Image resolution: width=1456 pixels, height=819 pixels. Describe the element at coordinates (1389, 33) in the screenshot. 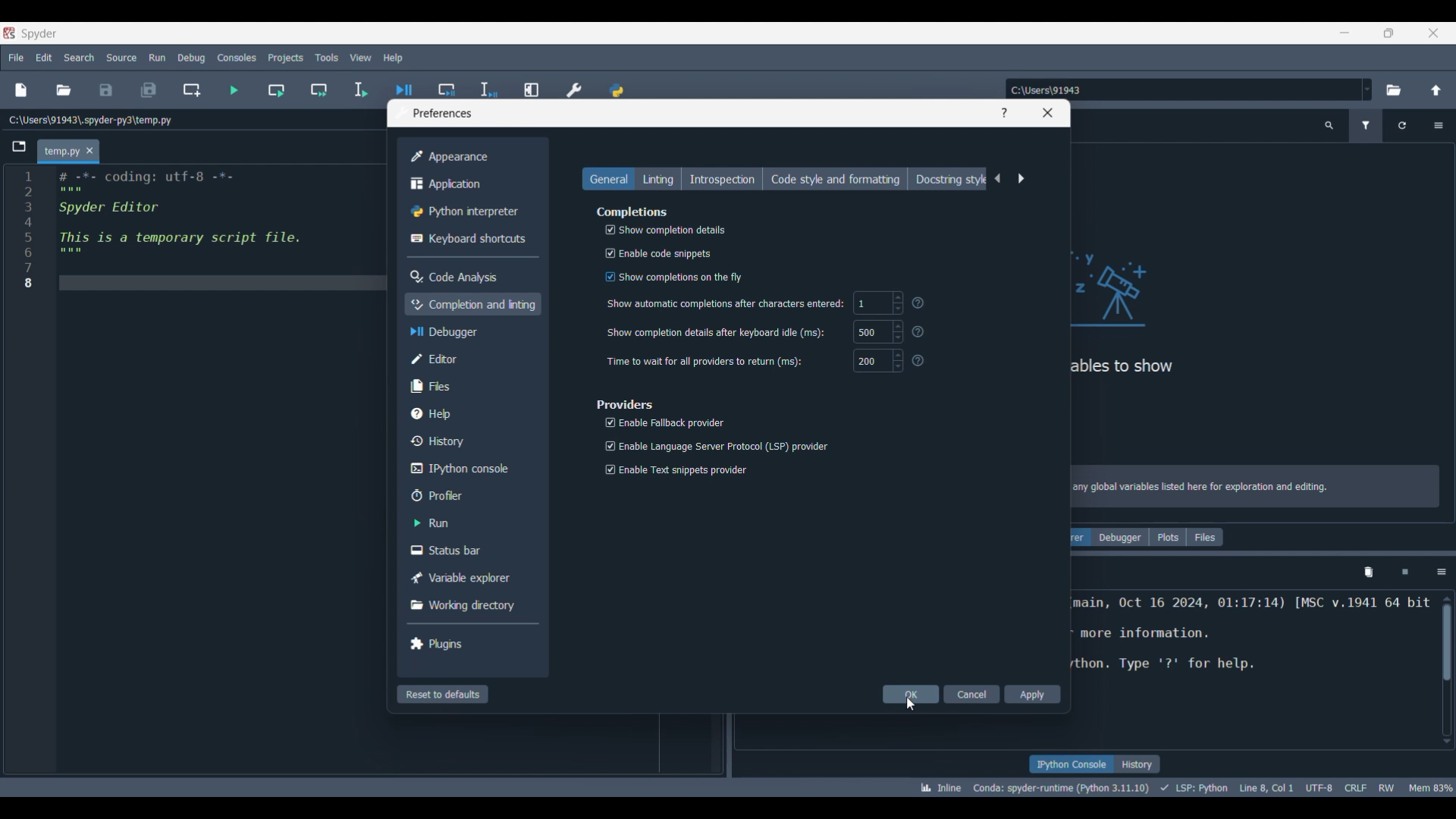

I see `Show in smaller tab` at that location.